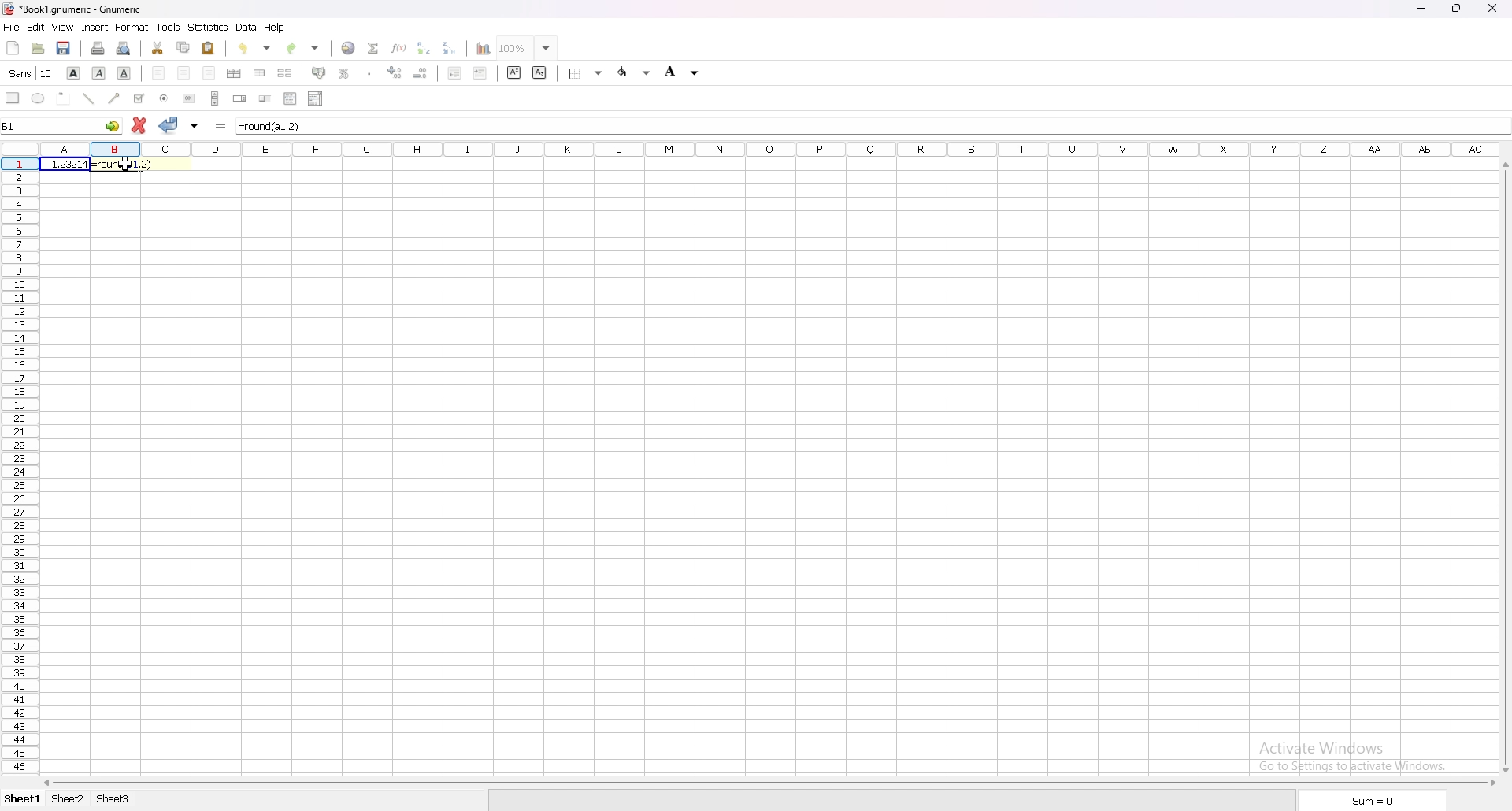 This screenshot has width=1512, height=811. Describe the element at coordinates (346, 73) in the screenshot. I see `percentage` at that location.